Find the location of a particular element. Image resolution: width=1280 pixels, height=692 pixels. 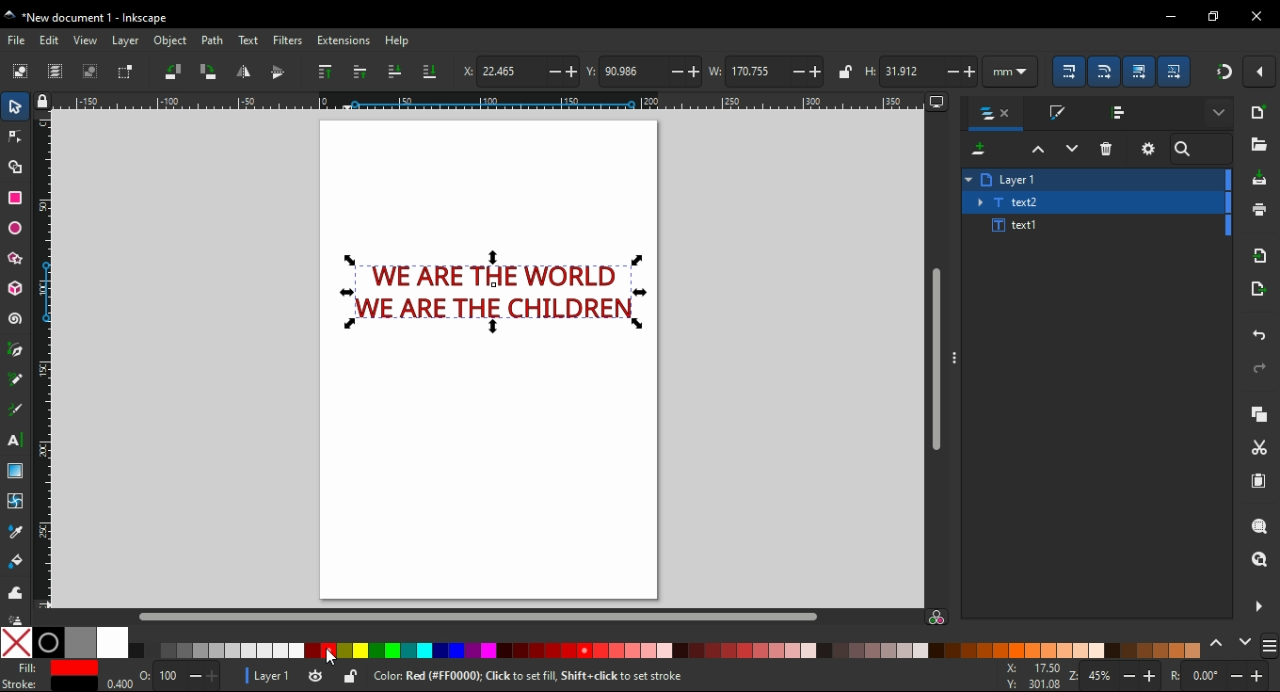

ellipse/arc tool is located at coordinates (17, 228).